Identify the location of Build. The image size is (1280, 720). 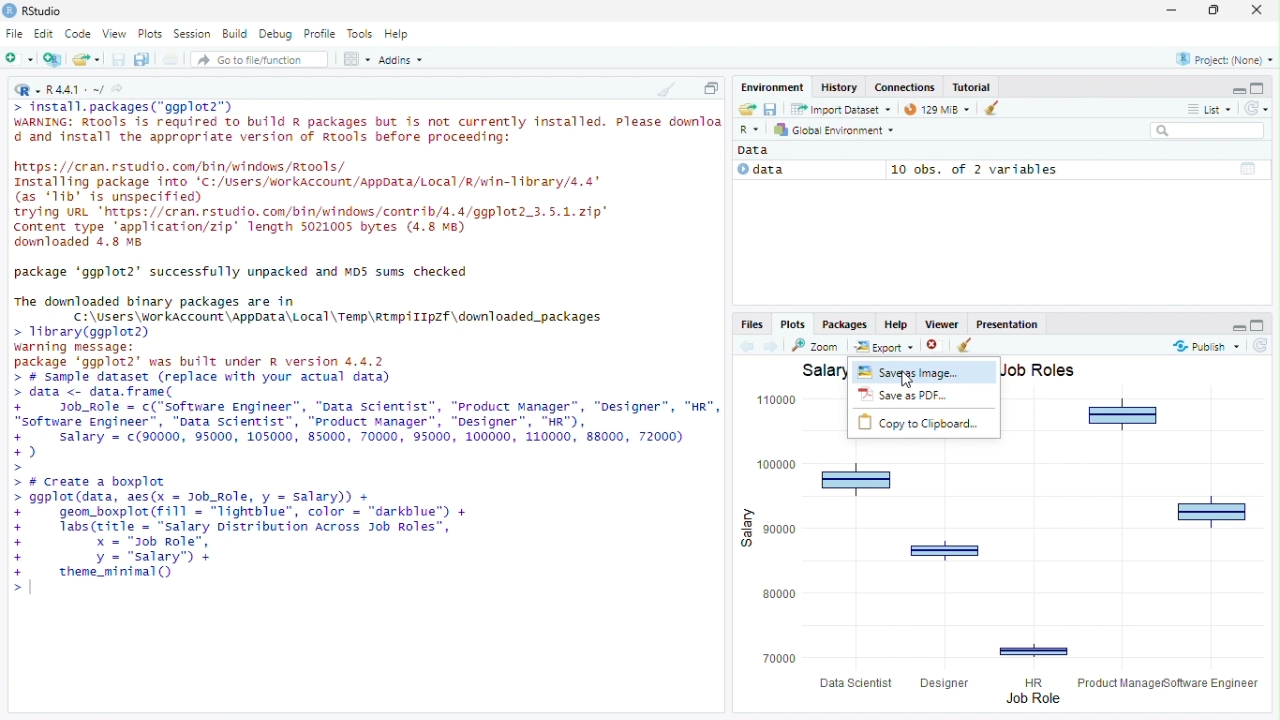
(234, 35).